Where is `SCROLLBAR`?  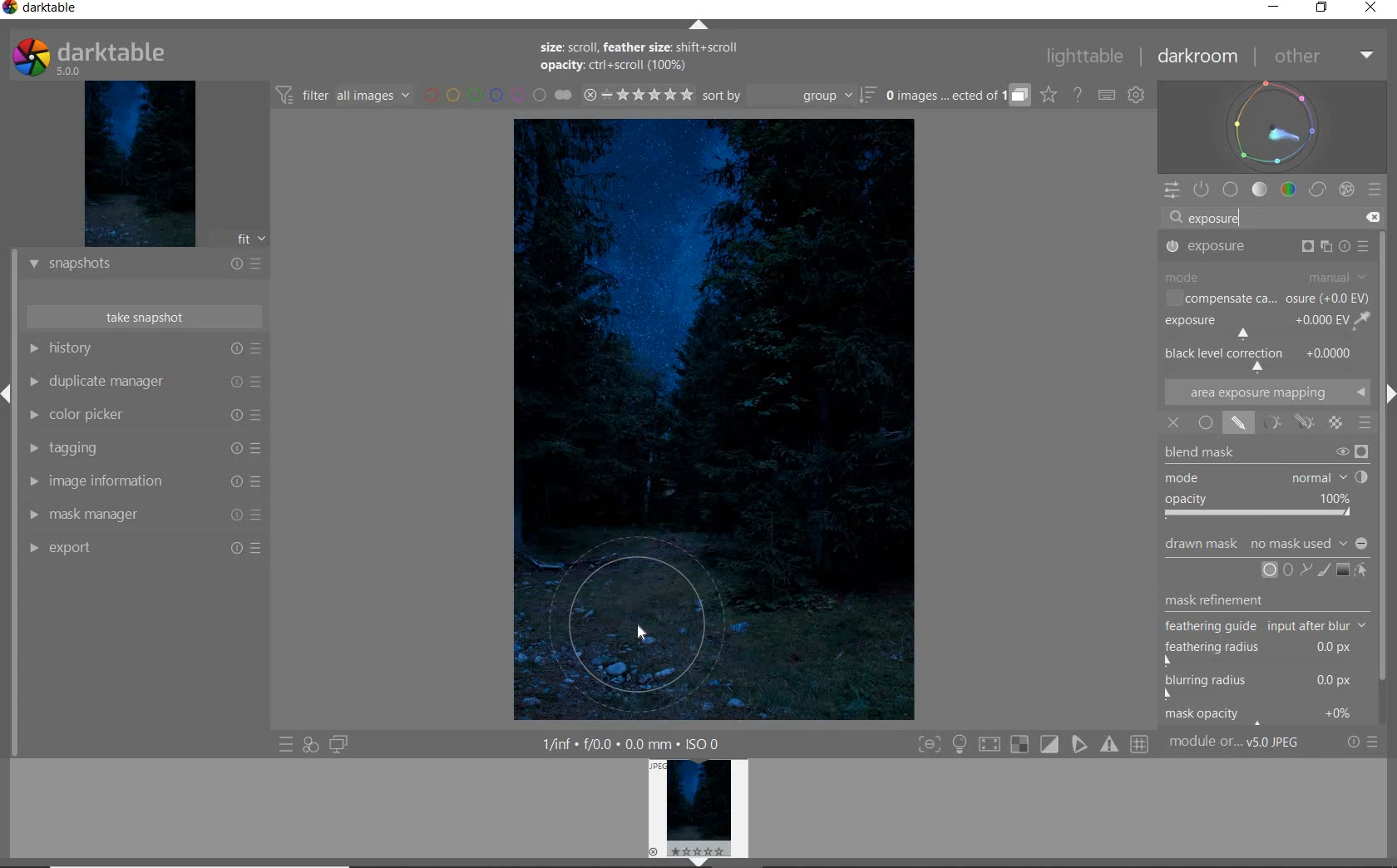 SCROLLBAR is located at coordinates (1389, 303).